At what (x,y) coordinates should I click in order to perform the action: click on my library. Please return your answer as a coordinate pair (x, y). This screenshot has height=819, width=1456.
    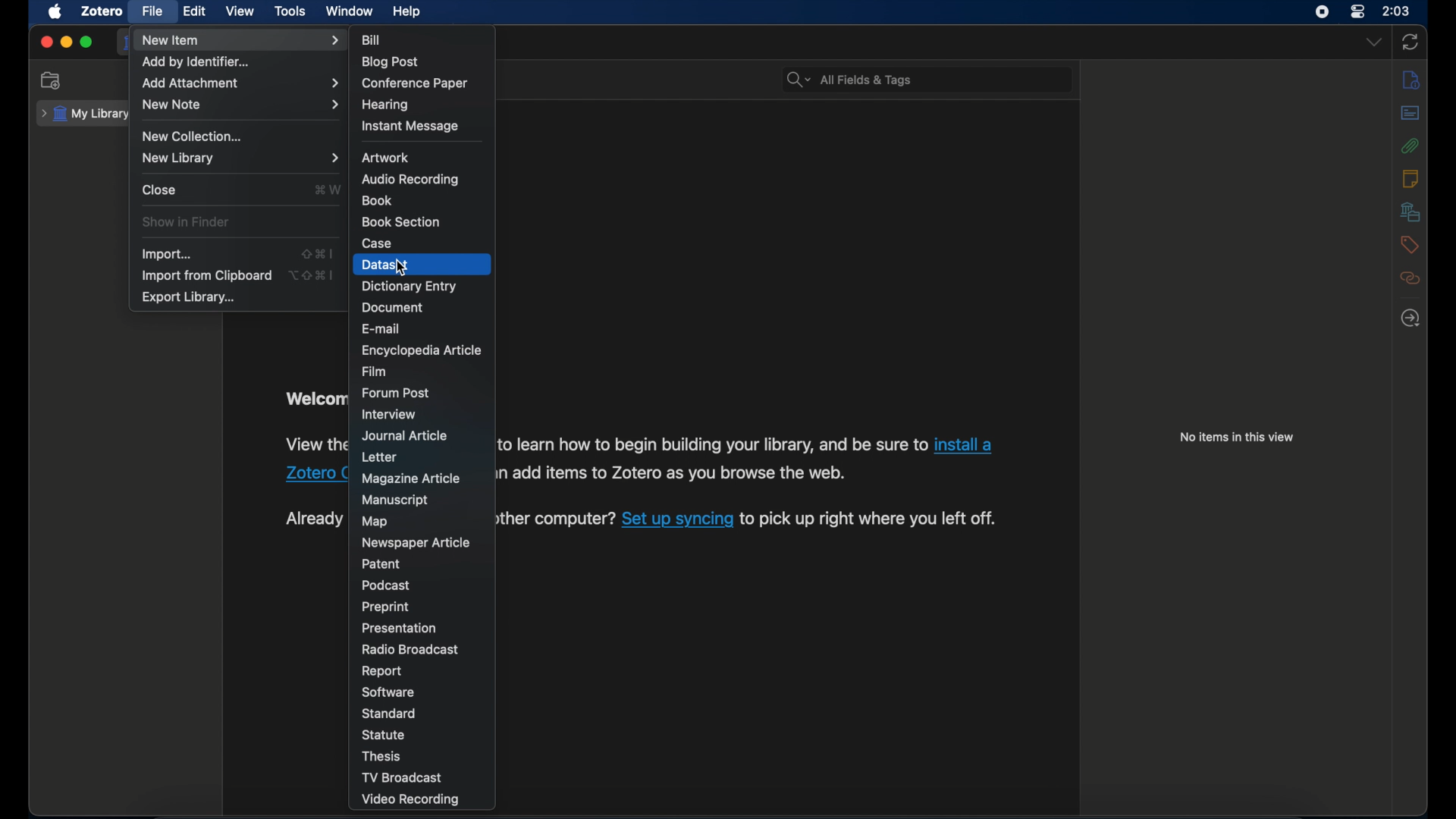
    Looking at the image, I should click on (86, 114).